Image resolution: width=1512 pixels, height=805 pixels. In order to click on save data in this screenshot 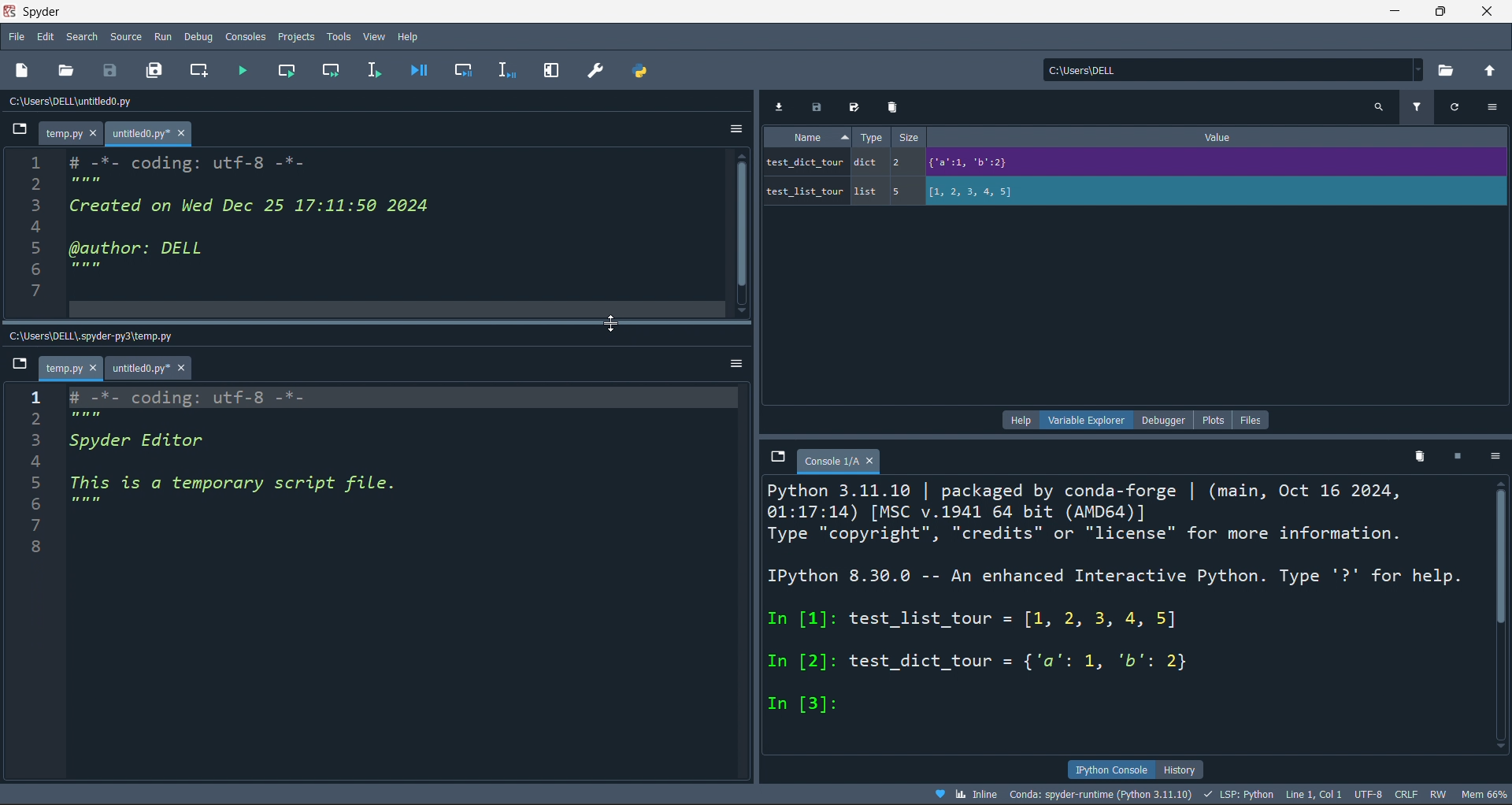, I will do `click(817, 106)`.